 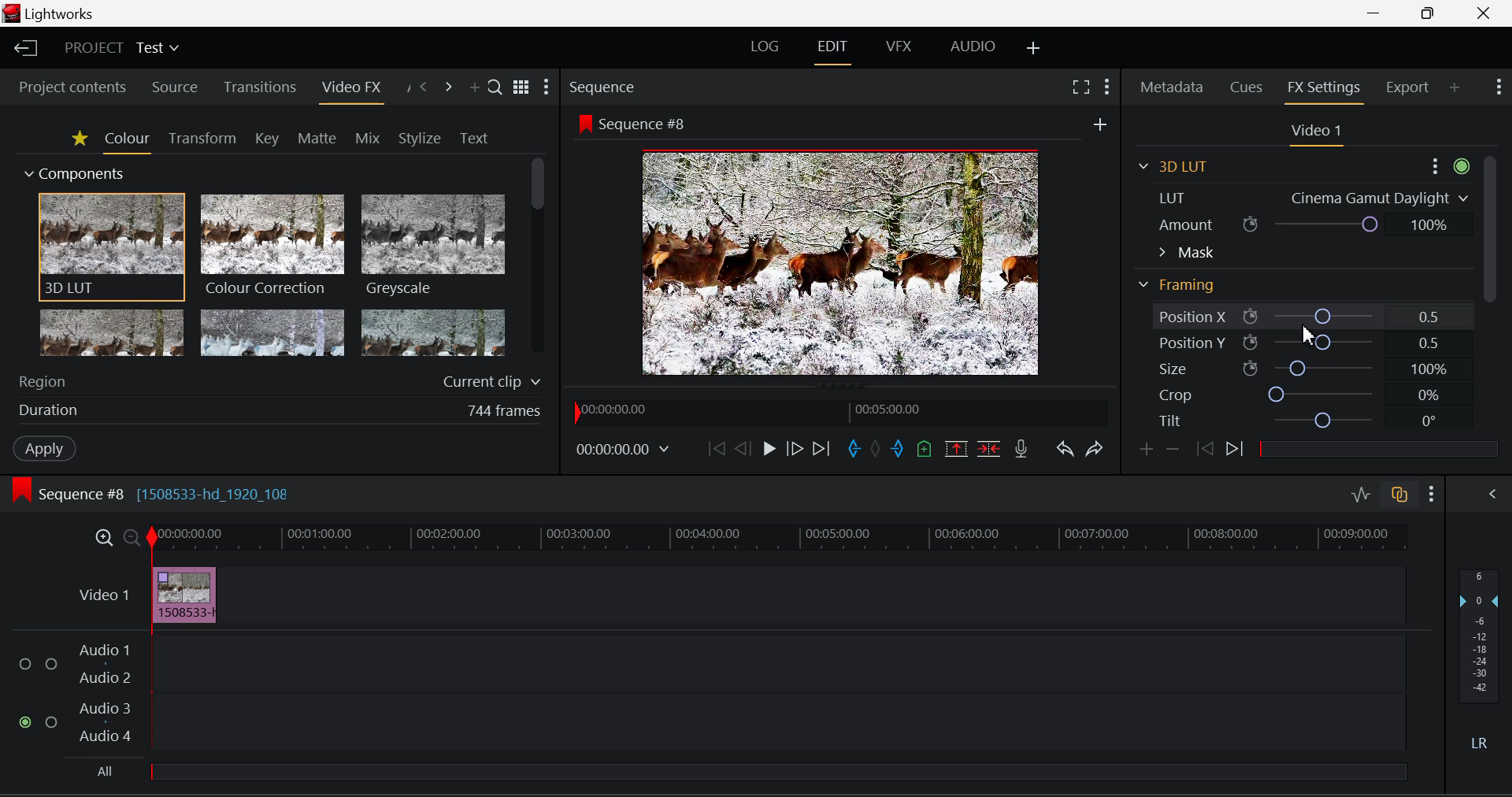 What do you see at coordinates (273, 246) in the screenshot?
I see `Colour Correction` at bounding box center [273, 246].